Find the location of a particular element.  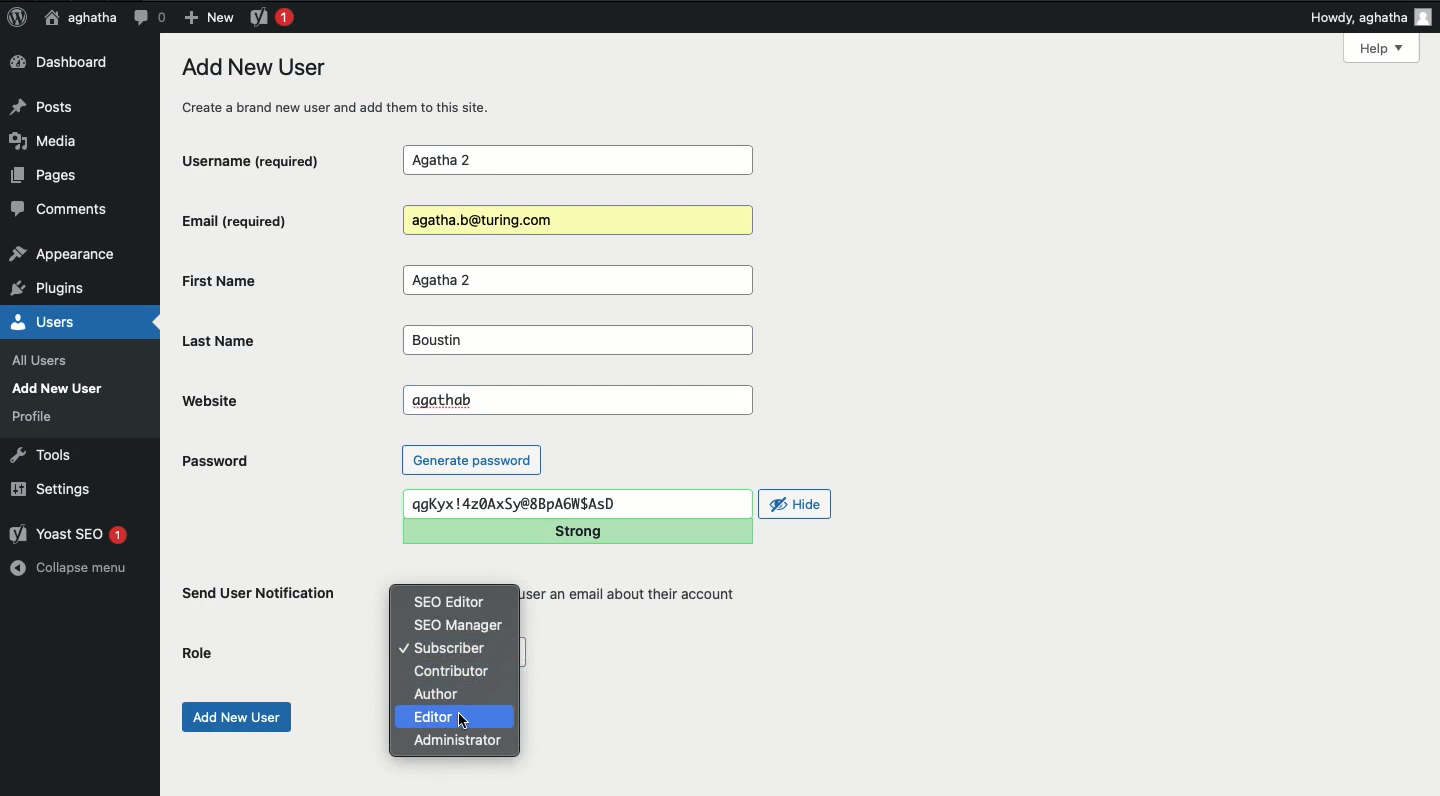

Howdy, aghatha is located at coordinates (1371, 17).